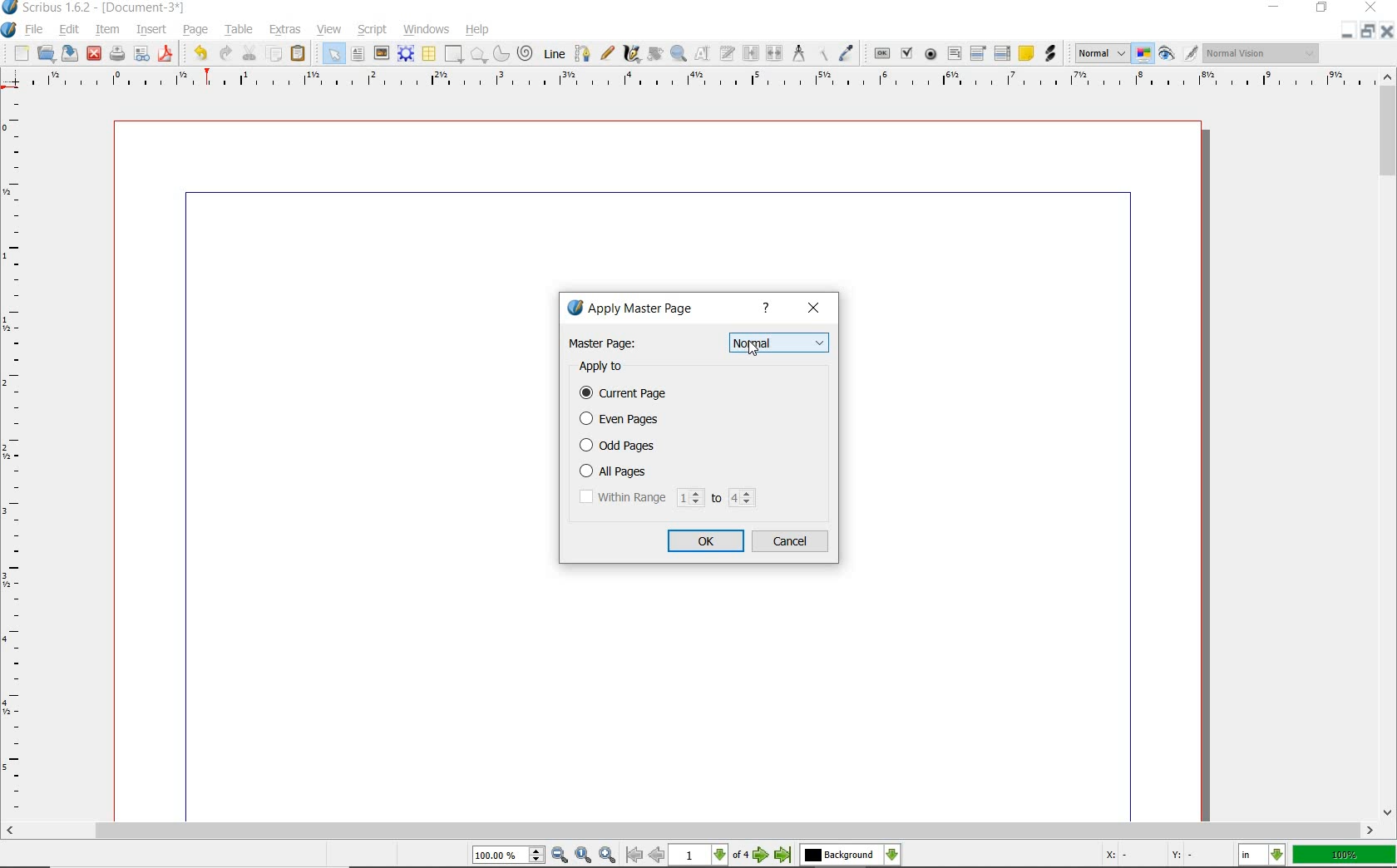 The width and height of the screenshot is (1397, 868). What do you see at coordinates (753, 53) in the screenshot?
I see `link text frames` at bounding box center [753, 53].